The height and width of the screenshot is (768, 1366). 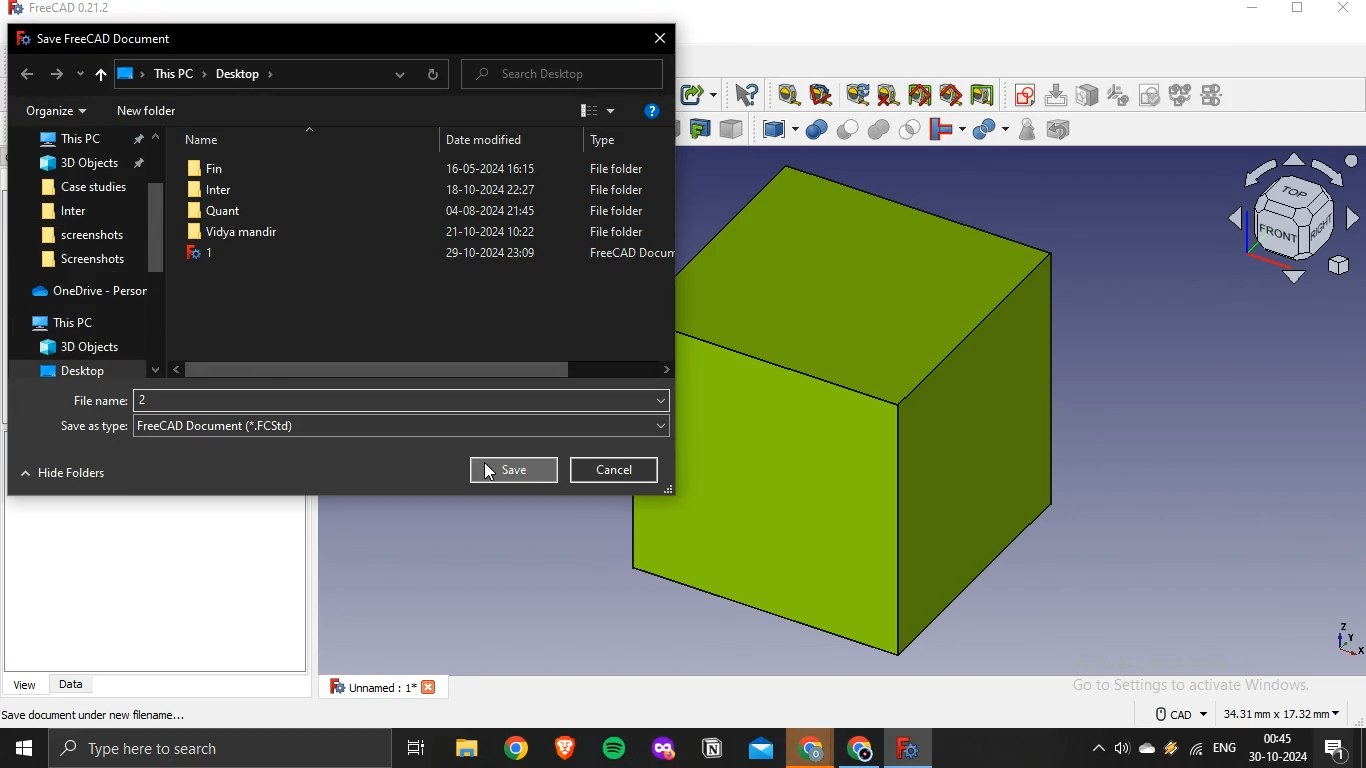 I want to click on Case studies, so click(x=73, y=187).